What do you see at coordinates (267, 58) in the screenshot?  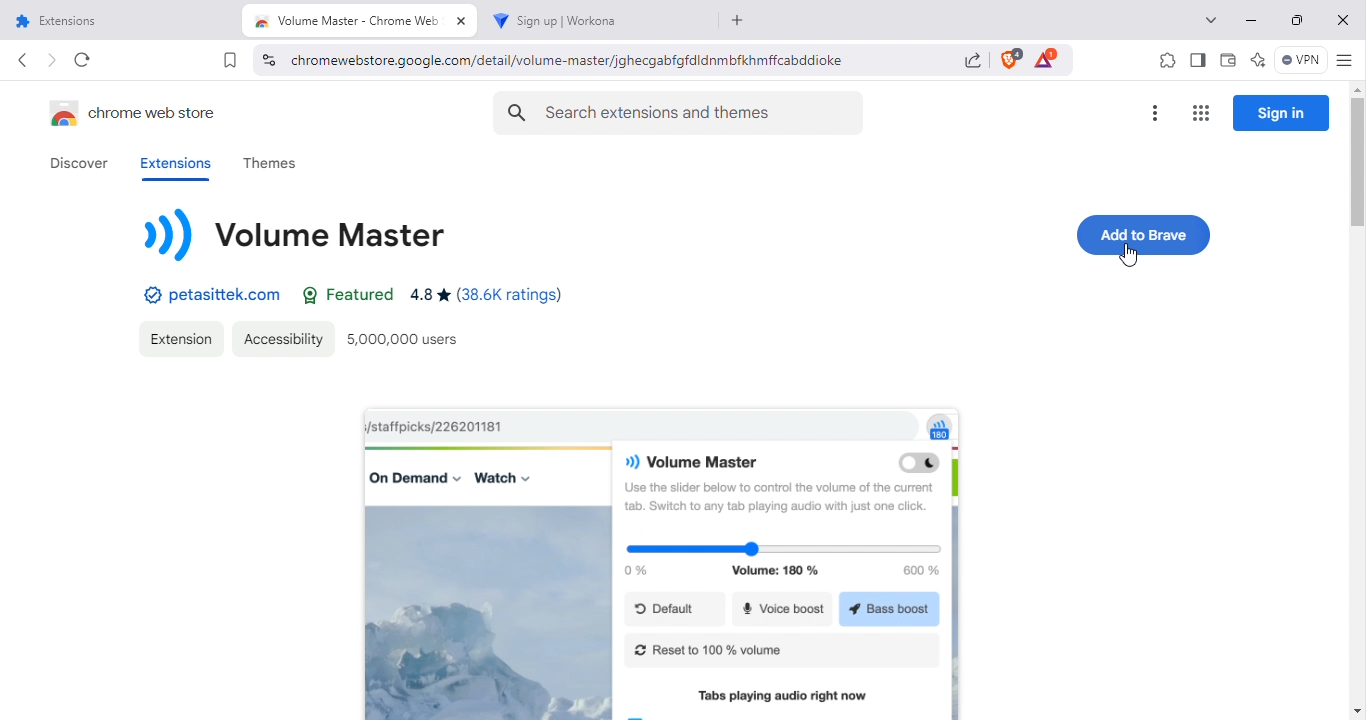 I see `View site information` at bounding box center [267, 58].